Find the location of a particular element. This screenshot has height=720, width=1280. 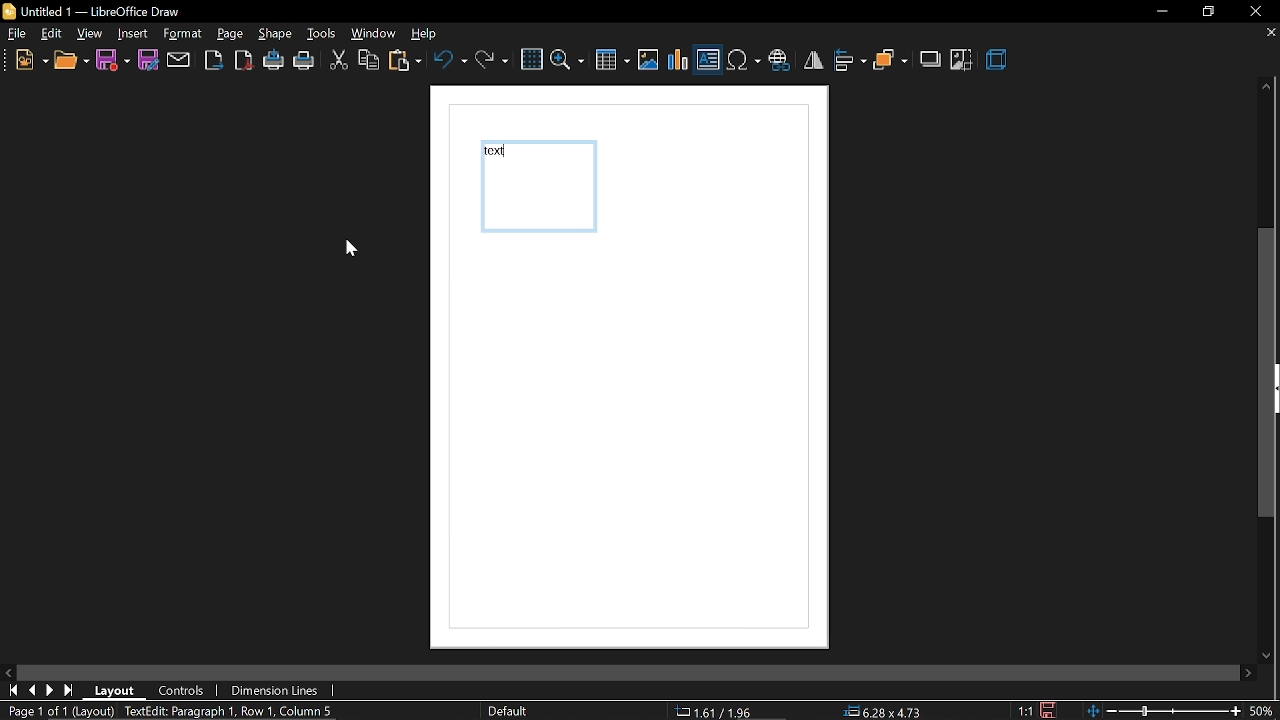

dimension lines is located at coordinates (276, 691).